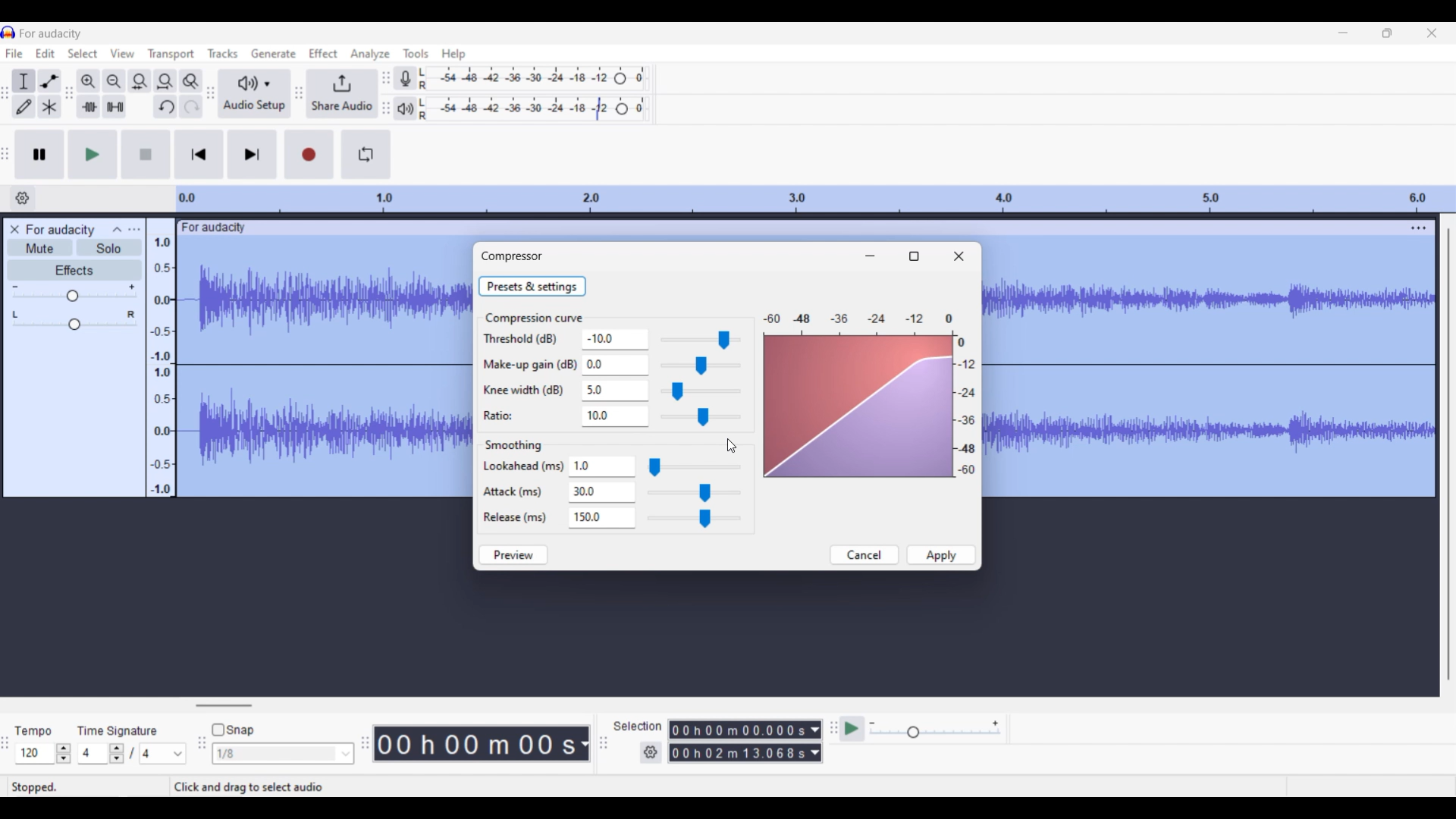  I want to click on for audacity, so click(215, 227).